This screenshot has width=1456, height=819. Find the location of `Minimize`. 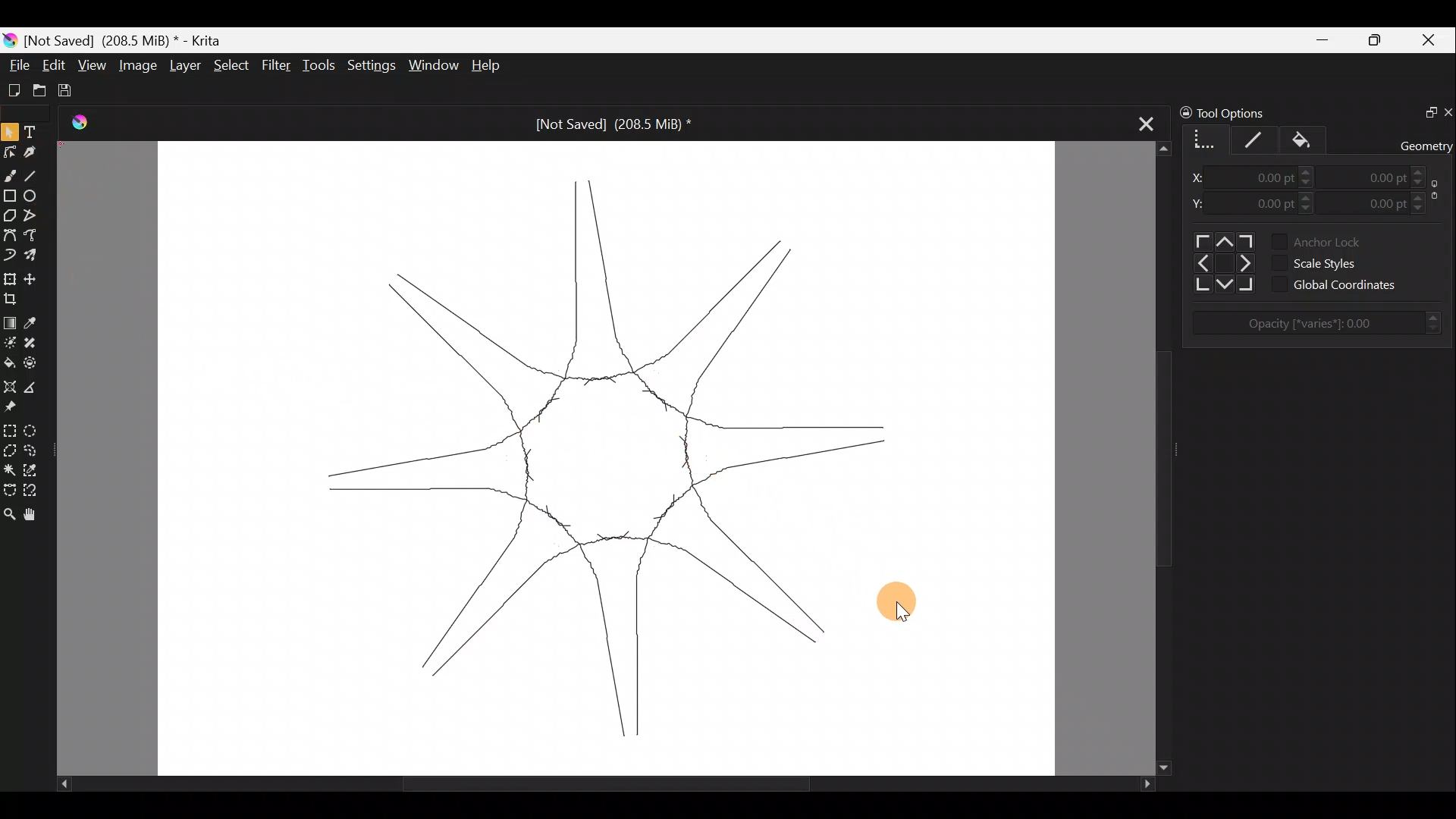

Minimize is located at coordinates (1320, 40).